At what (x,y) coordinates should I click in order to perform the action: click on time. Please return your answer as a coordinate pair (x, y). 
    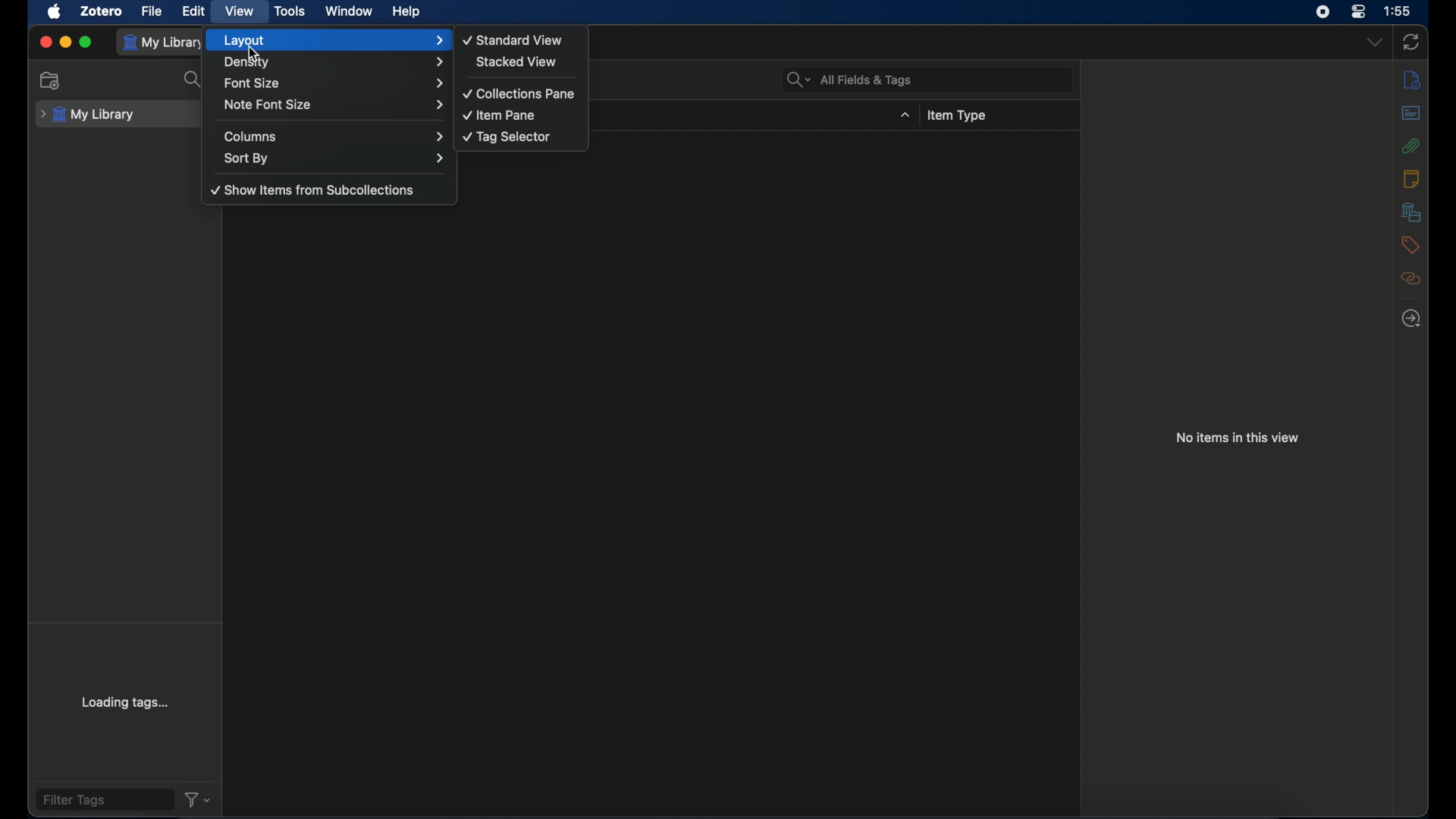
    Looking at the image, I should click on (1398, 10).